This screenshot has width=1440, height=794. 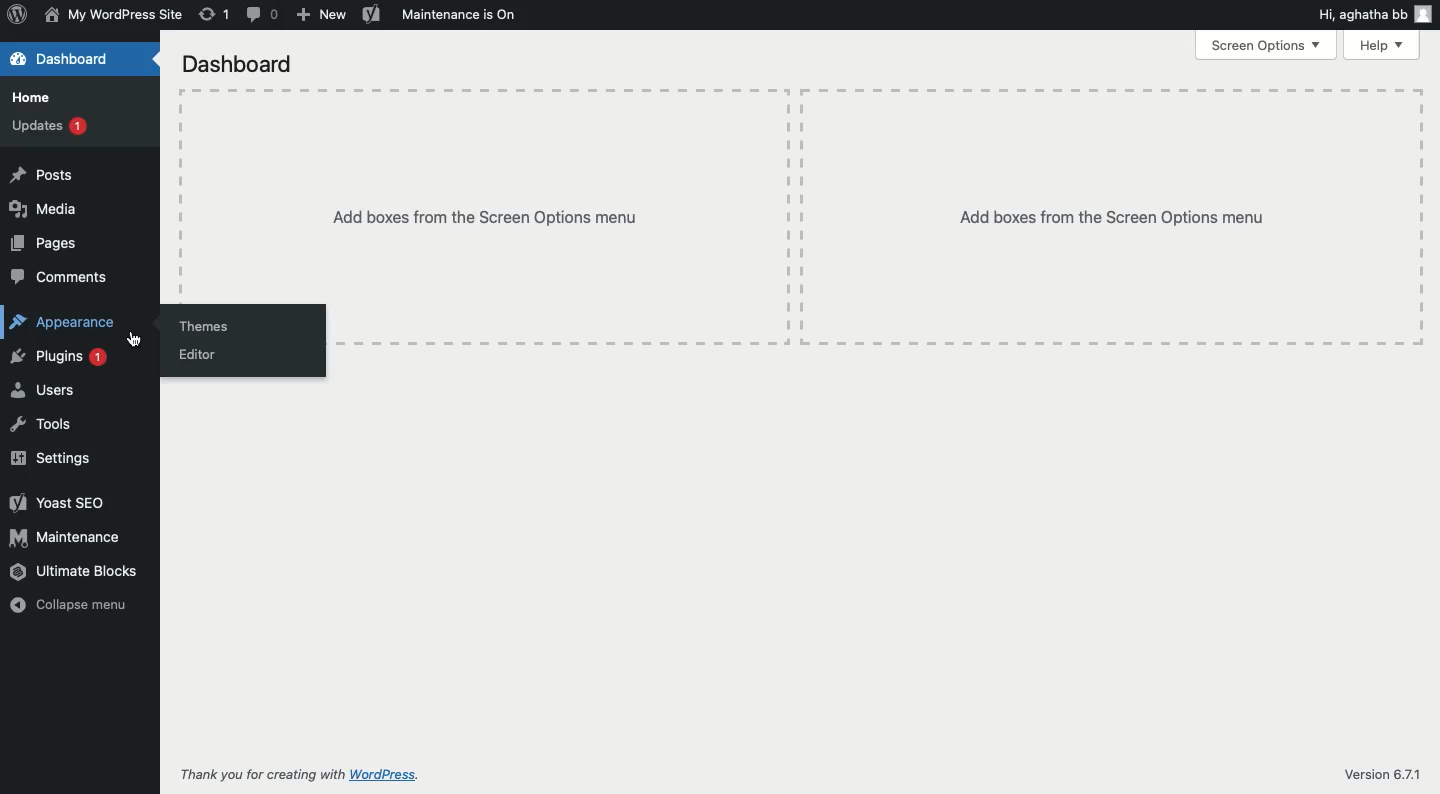 What do you see at coordinates (258, 774) in the screenshot?
I see `Thank you for creating with` at bounding box center [258, 774].